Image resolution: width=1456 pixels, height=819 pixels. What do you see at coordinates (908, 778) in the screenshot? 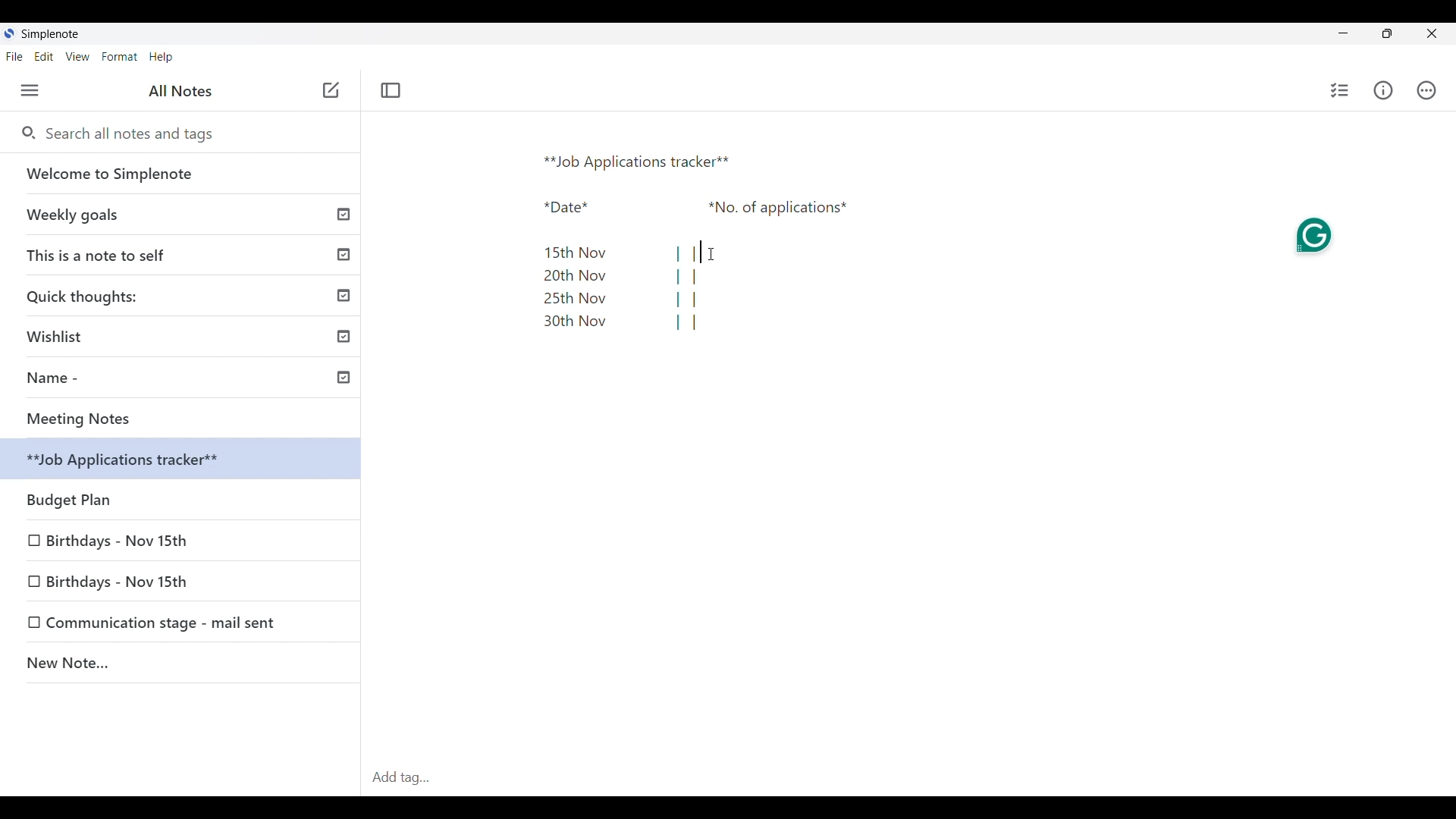
I see `Click to type in tag` at bounding box center [908, 778].